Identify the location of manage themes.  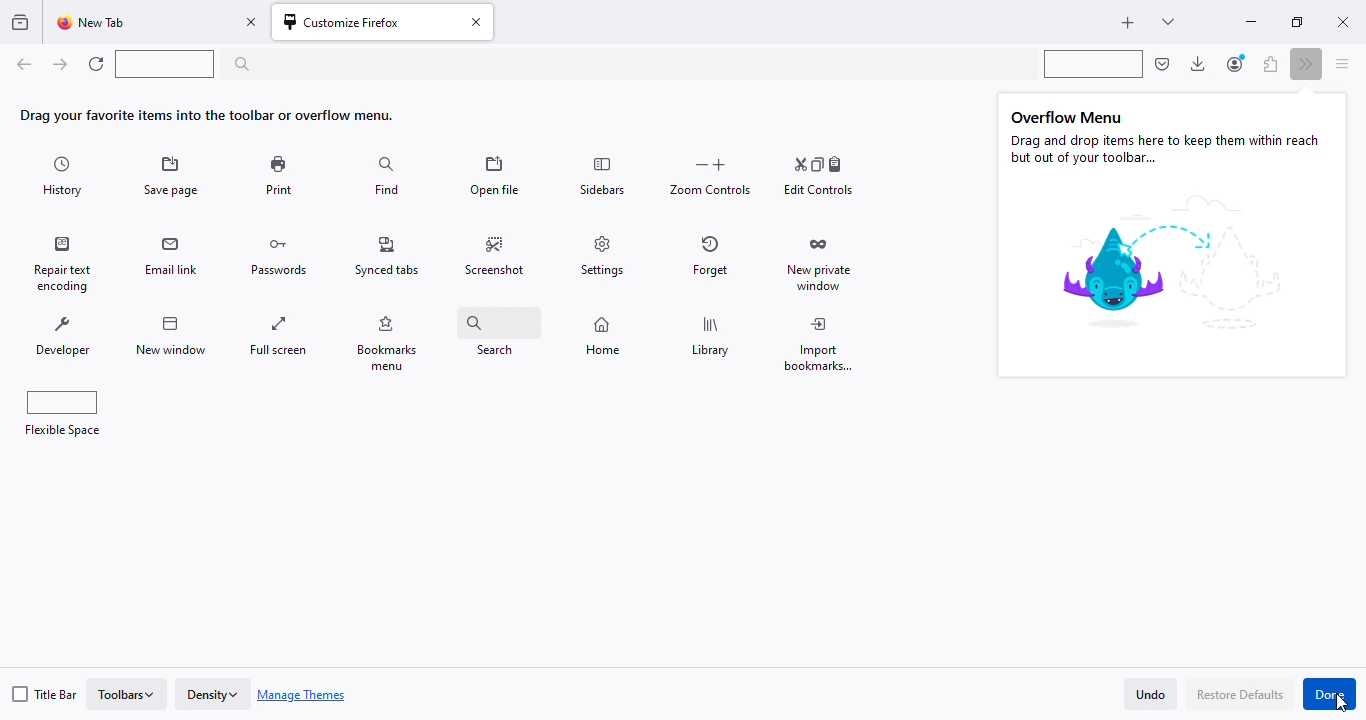
(301, 695).